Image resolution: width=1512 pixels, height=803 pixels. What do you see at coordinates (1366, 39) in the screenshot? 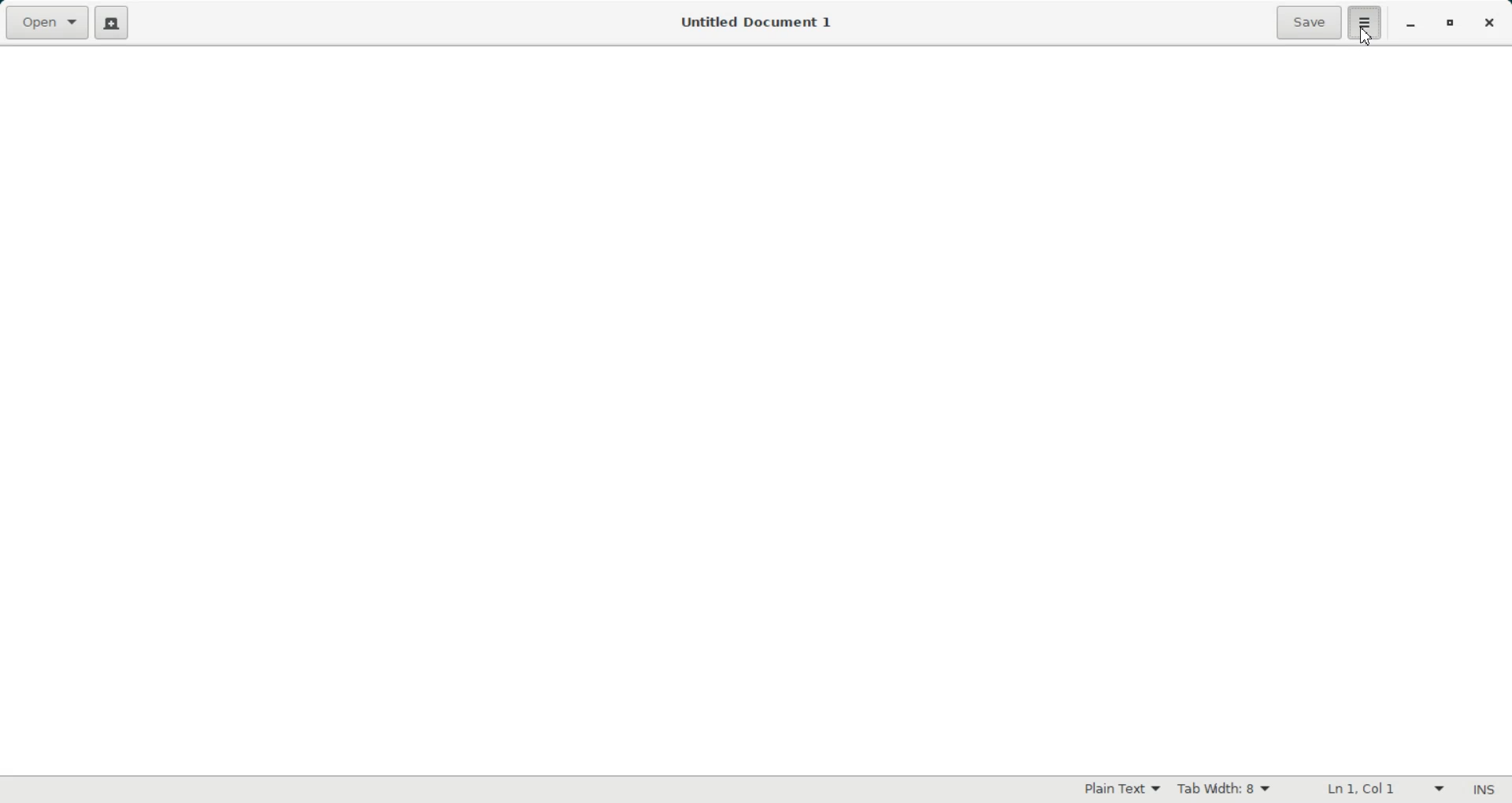
I see `Cursor` at bounding box center [1366, 39].